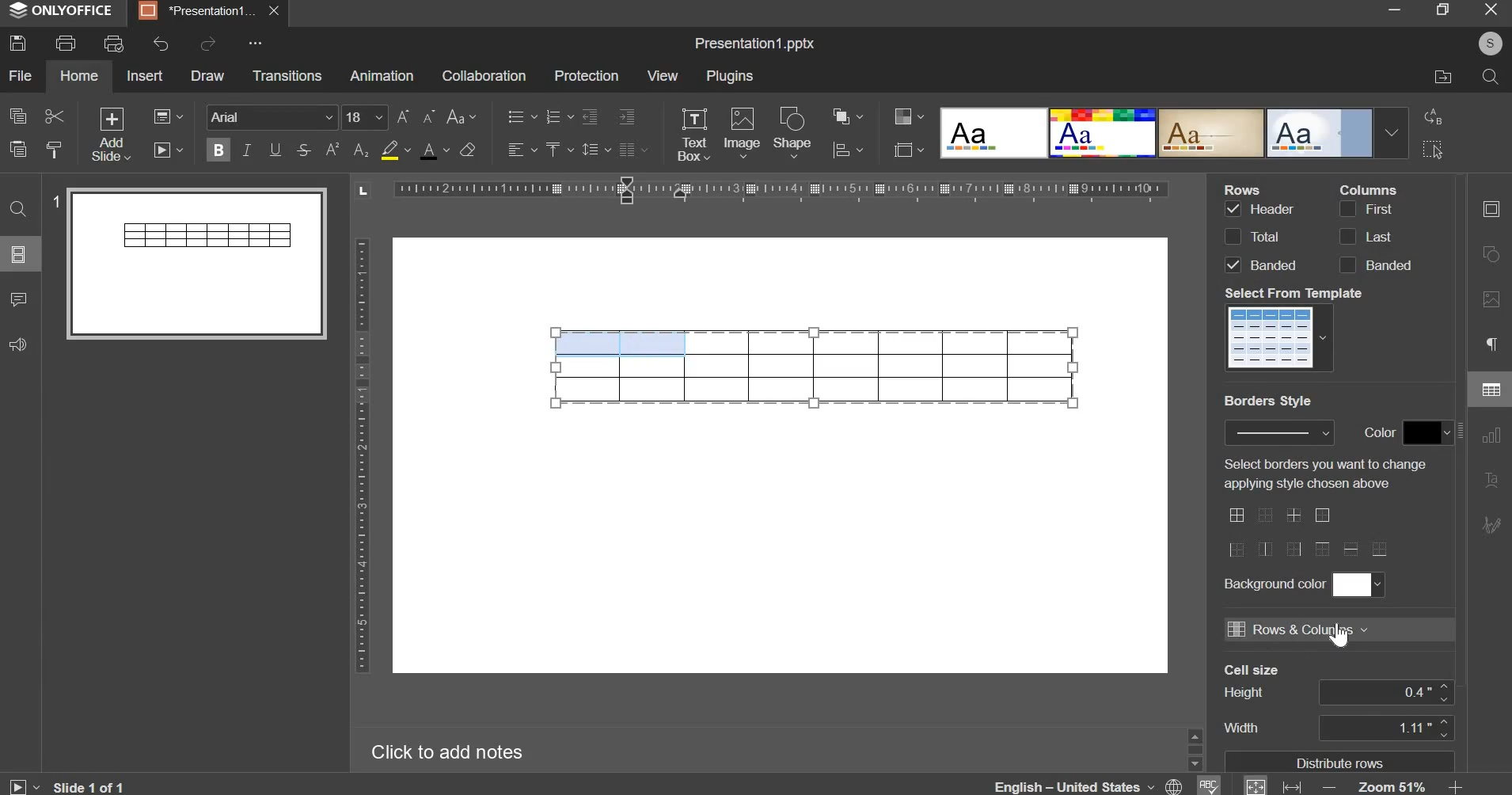 Image resolution: width=1512 pixels, height=795 pixels. I want to click on redo, so click(207, 44).